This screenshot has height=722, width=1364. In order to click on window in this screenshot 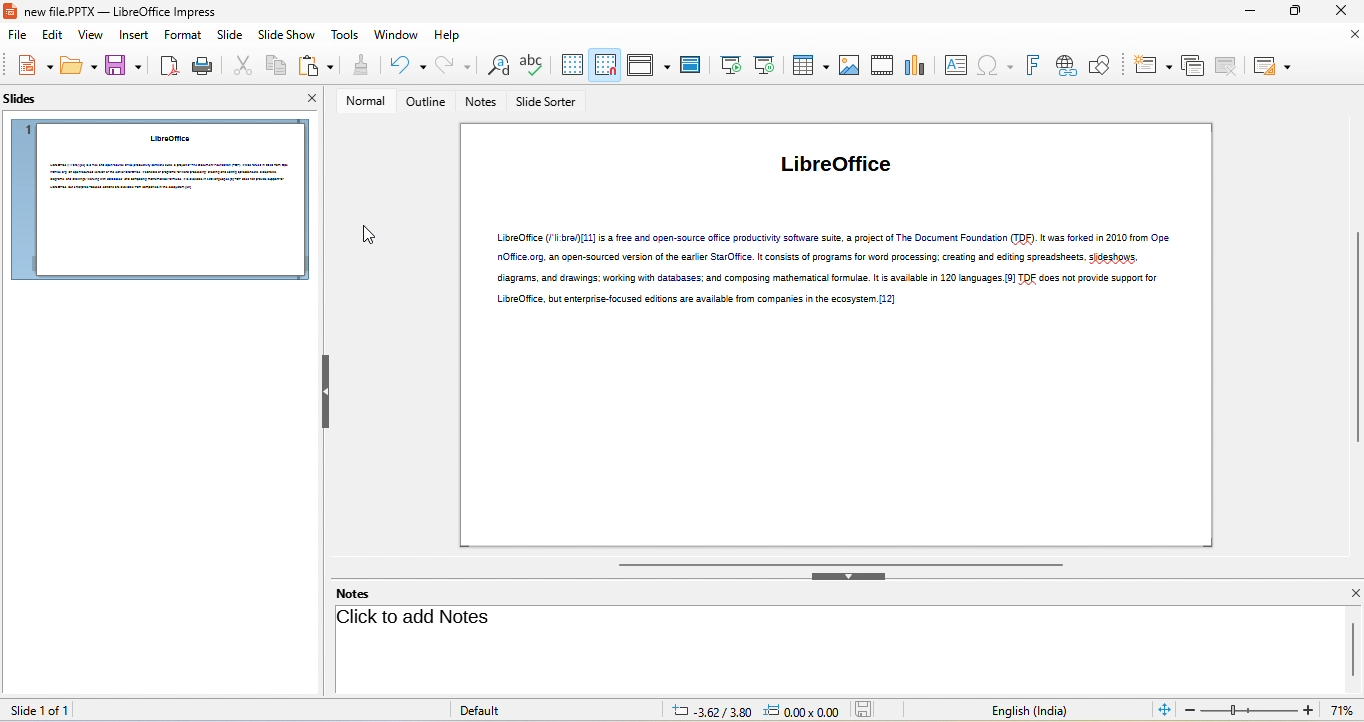, I will do `click(395, 35)`.